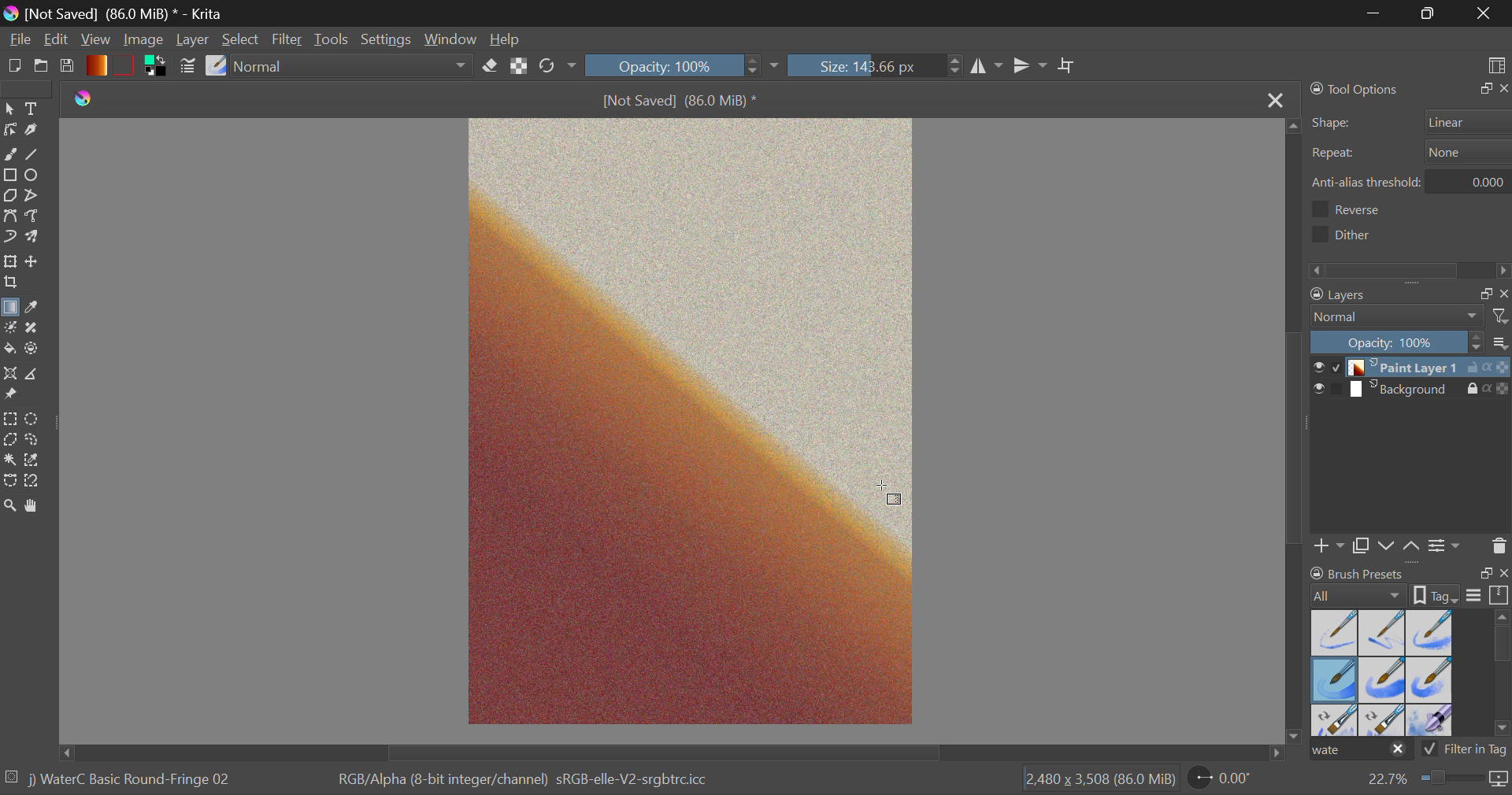 The image size is (1512, 795). I want to click on Horizontal Mirror Flip, so click(1032, 67).